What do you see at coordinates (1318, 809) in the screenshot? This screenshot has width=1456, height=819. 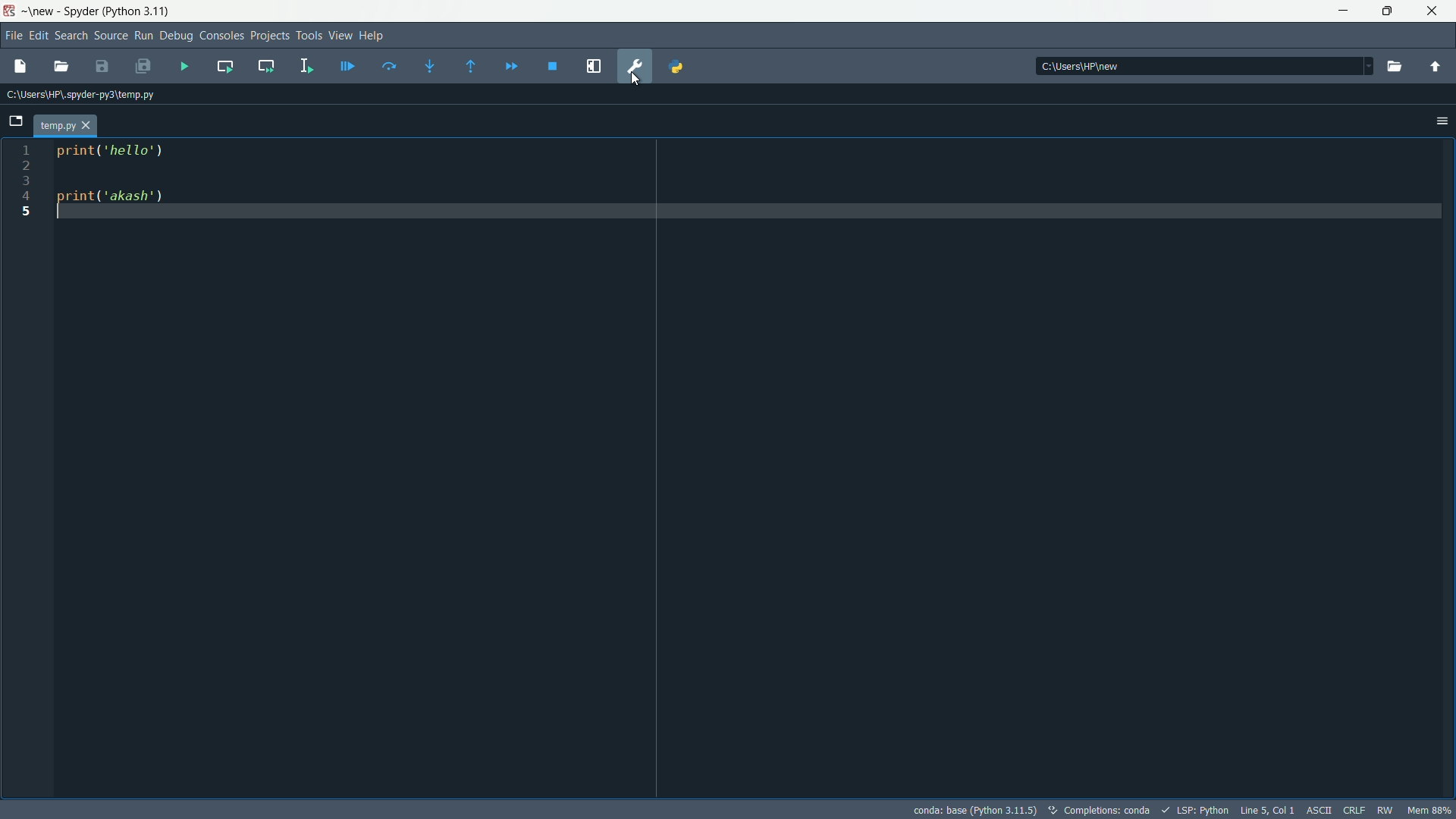 I see `ASII` at bounding box center [1318, 809].